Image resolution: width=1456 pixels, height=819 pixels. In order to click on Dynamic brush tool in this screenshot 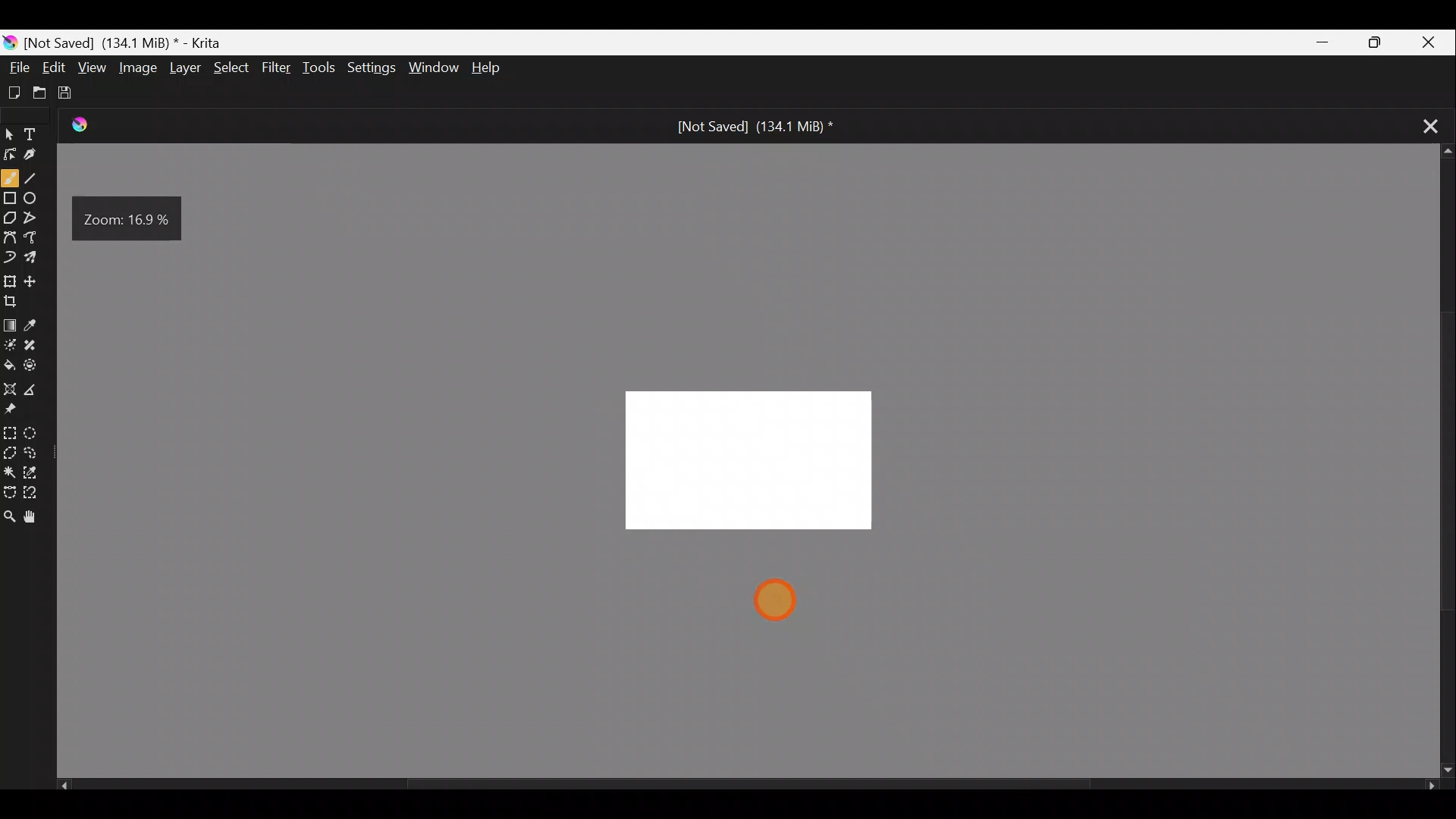, I will do `click(10, 256)`.